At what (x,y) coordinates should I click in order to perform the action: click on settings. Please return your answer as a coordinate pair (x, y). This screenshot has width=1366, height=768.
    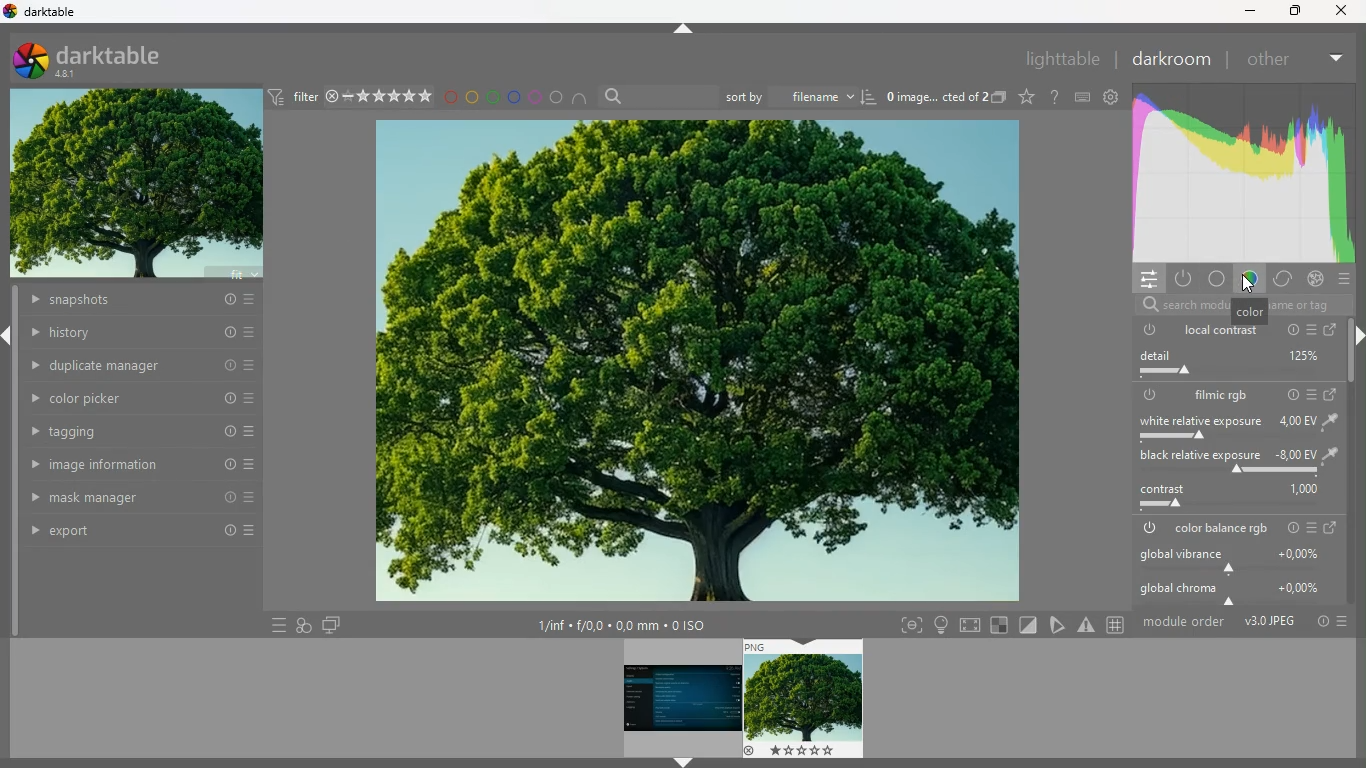
    Looking at the image, I should click on (1144, 278).